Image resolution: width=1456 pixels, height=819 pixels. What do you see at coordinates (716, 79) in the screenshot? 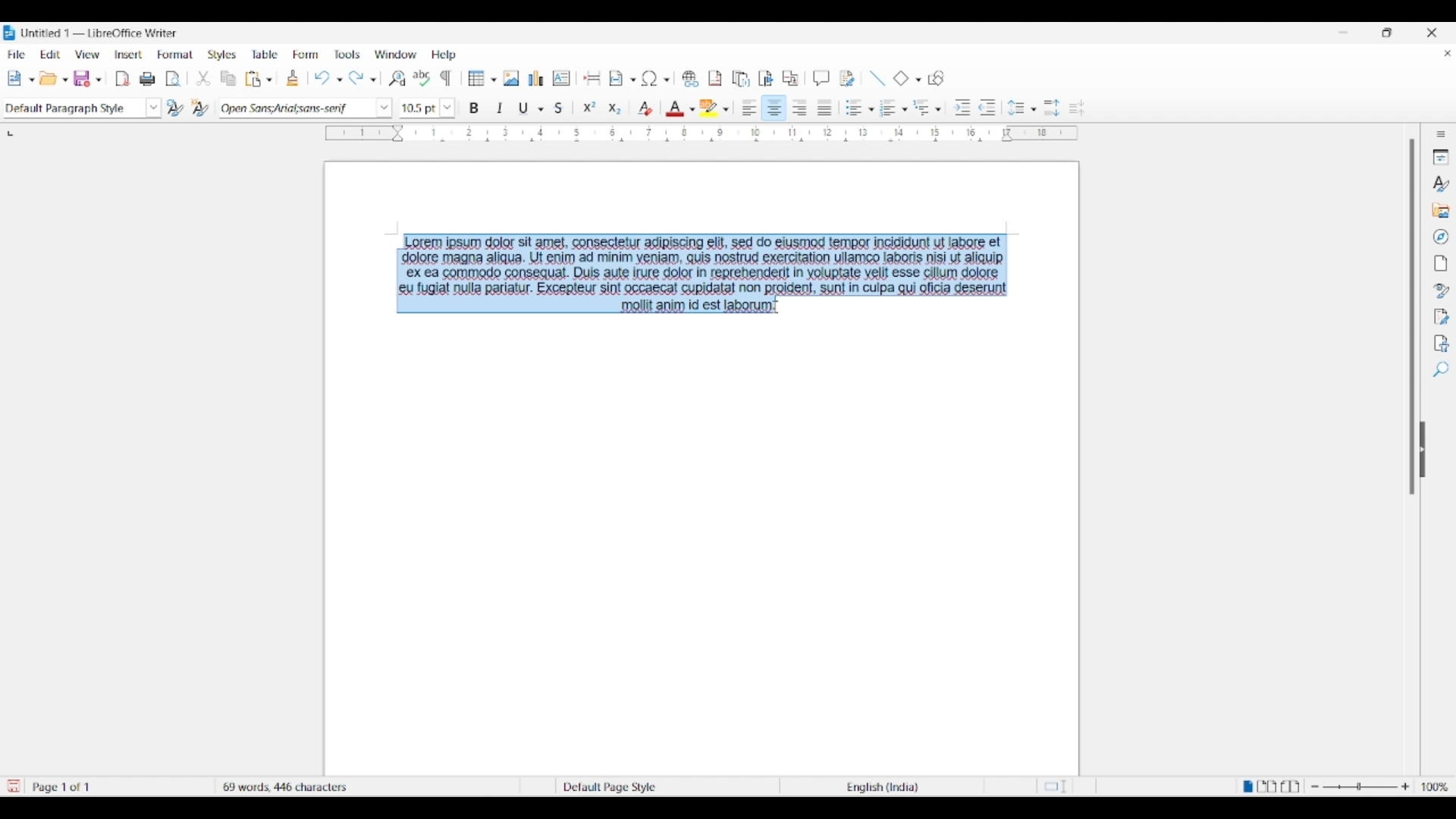
I see `Insert footnote` at bounding box center [716, 79].